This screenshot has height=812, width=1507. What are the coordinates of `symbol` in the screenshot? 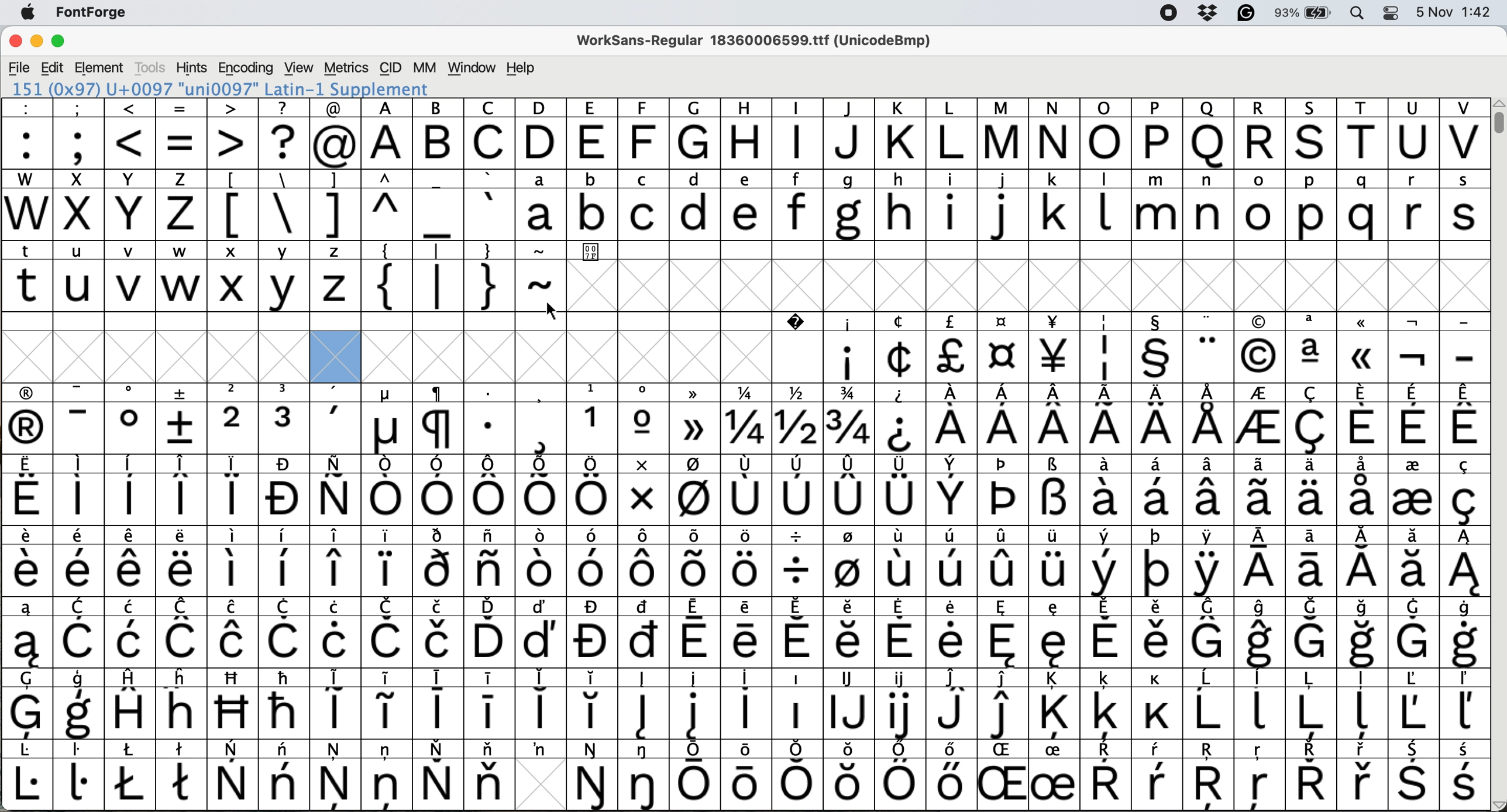 It's located at (696, 560).